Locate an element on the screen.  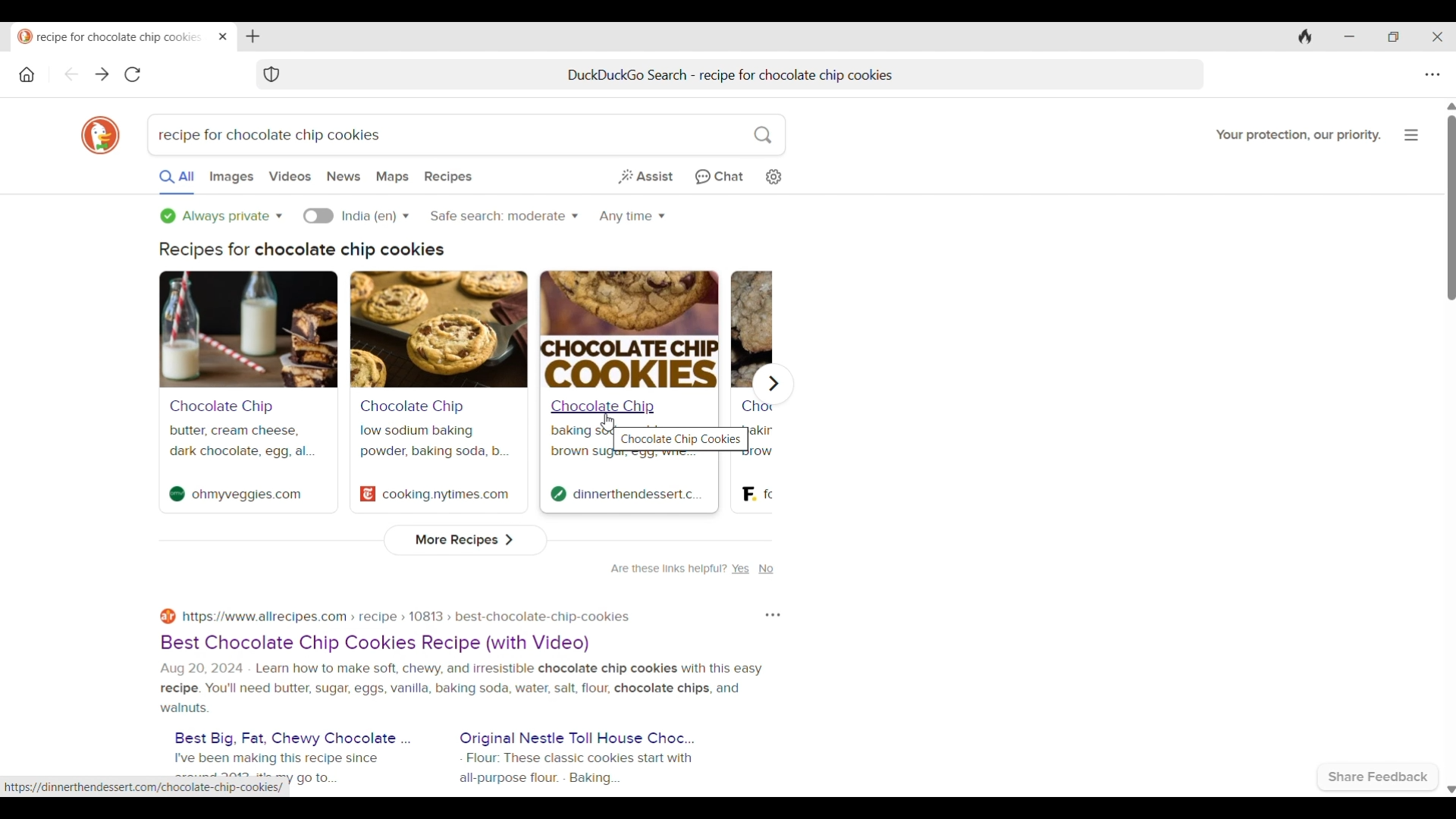
Chocolate Chip is located at coordinates (603, 407).